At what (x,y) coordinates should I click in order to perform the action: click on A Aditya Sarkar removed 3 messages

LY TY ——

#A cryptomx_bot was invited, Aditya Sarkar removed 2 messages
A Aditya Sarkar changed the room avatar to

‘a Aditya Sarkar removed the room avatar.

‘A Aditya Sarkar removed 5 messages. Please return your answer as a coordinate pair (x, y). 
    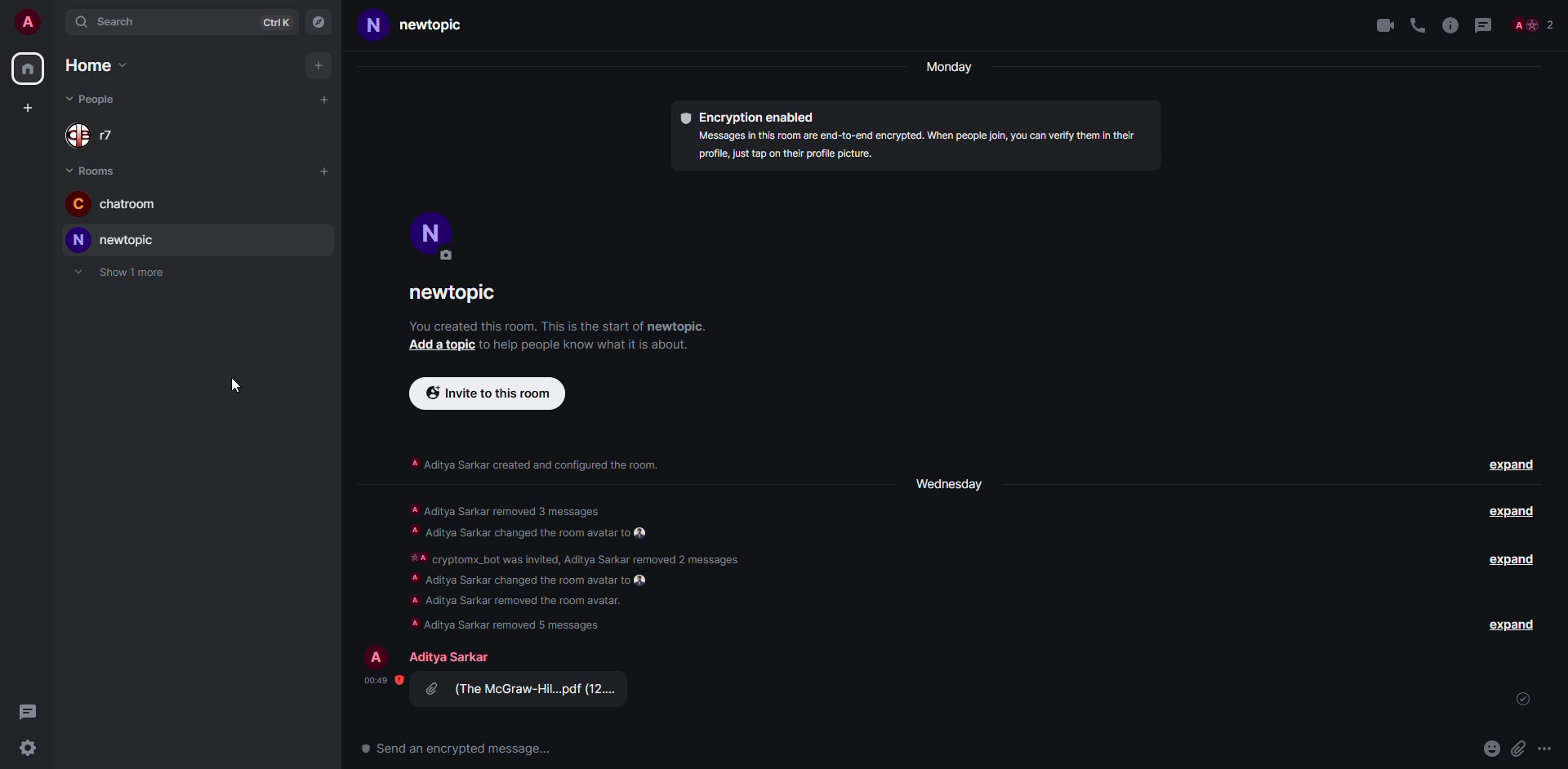
    Looking at the image, I should click on (576, 563).